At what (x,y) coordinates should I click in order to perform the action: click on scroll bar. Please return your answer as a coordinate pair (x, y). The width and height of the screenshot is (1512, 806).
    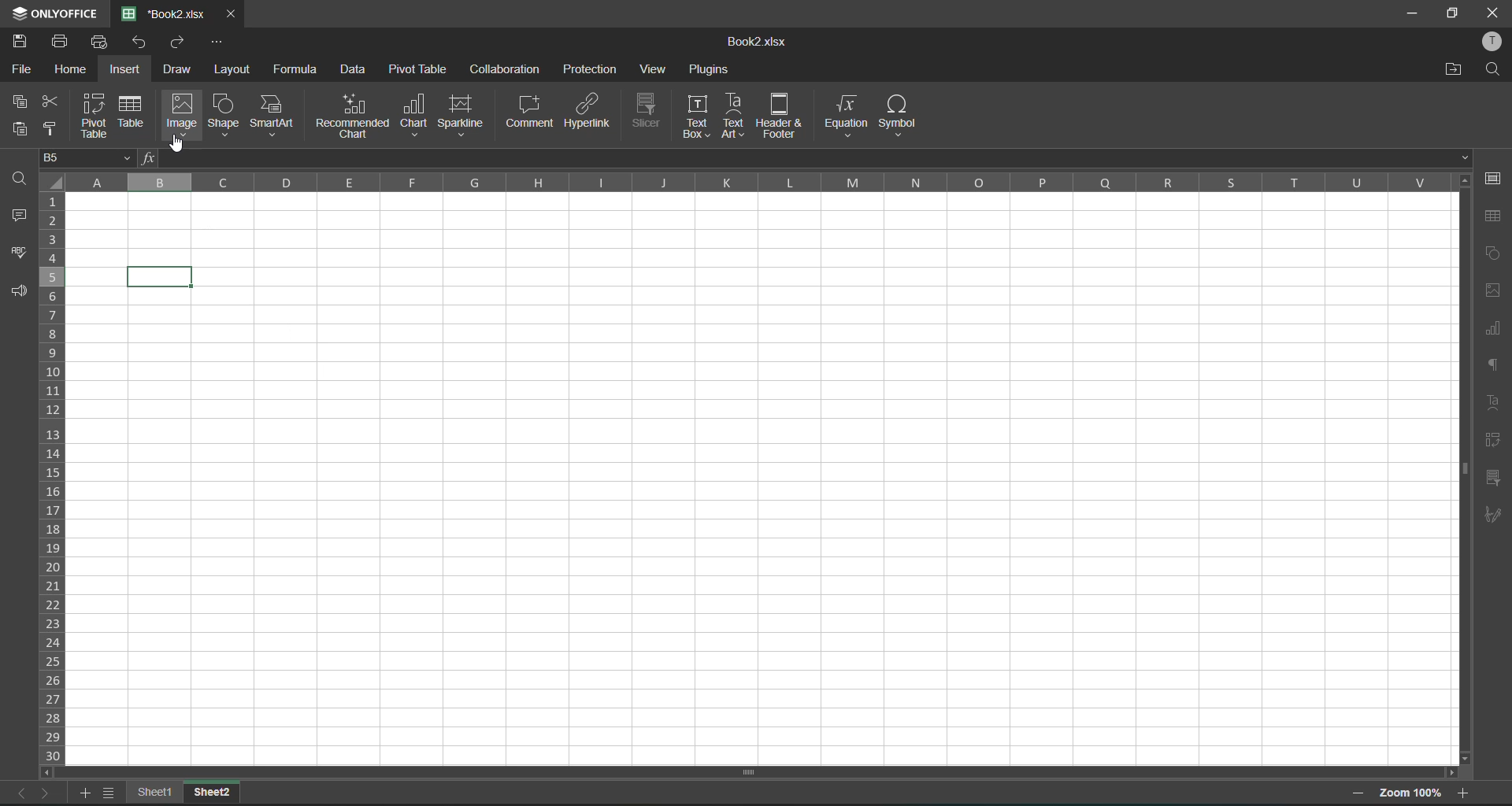
    Looking at the image, I should click on (734, 774).